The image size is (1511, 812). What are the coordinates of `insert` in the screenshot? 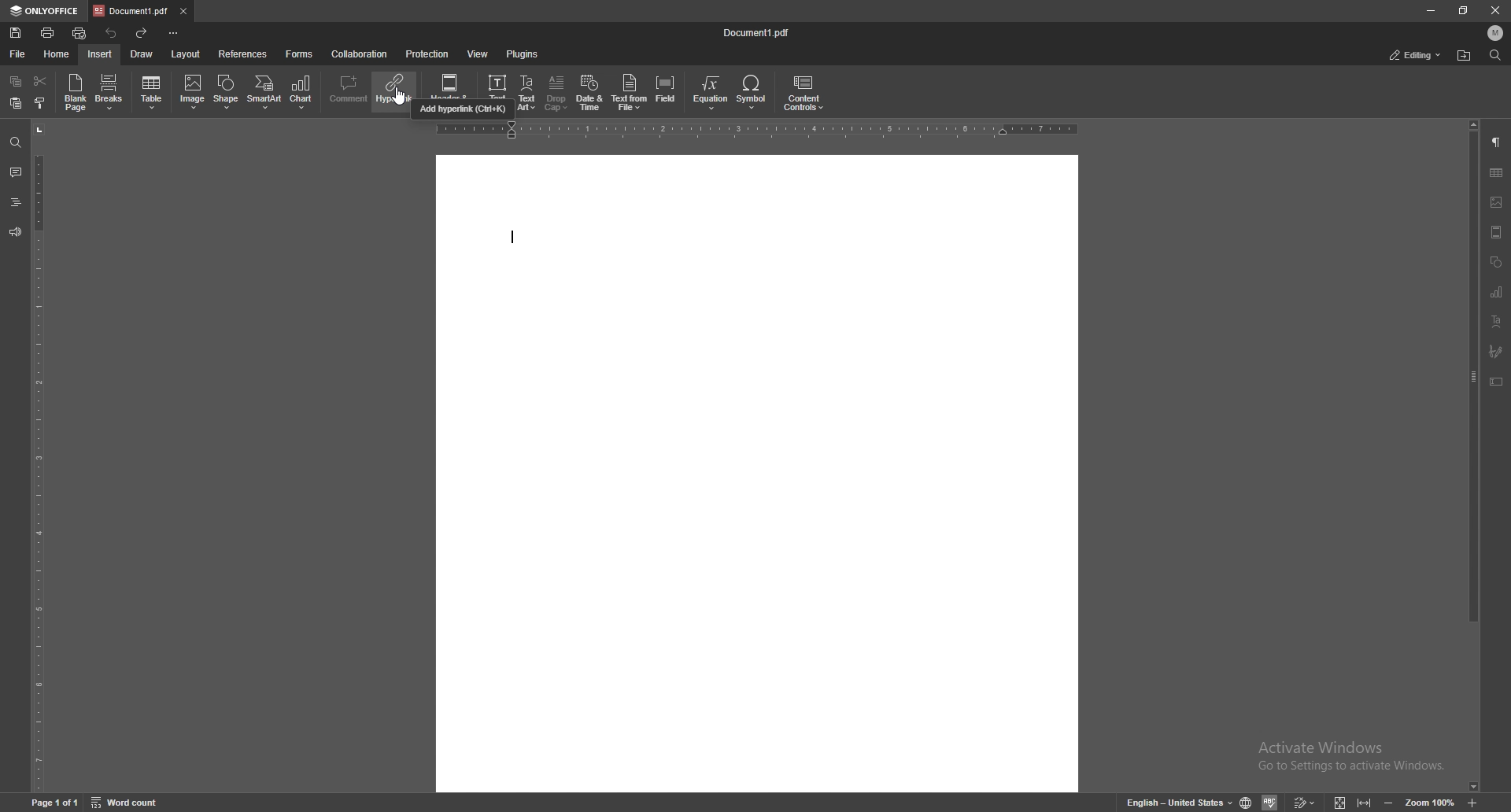 It's located at (102, 54).